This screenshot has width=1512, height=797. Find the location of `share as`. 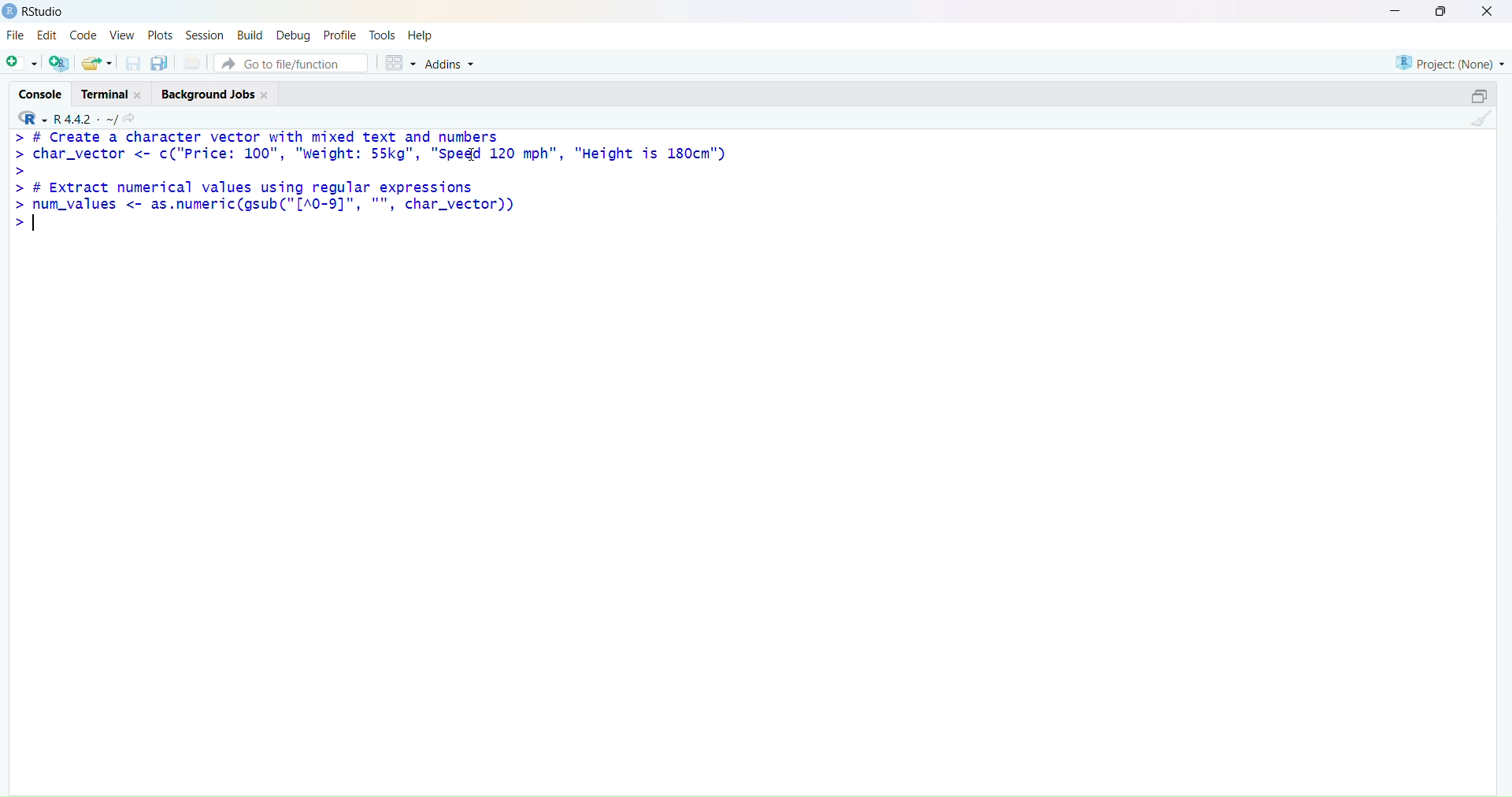

share as is located at coordinates (98, 63).